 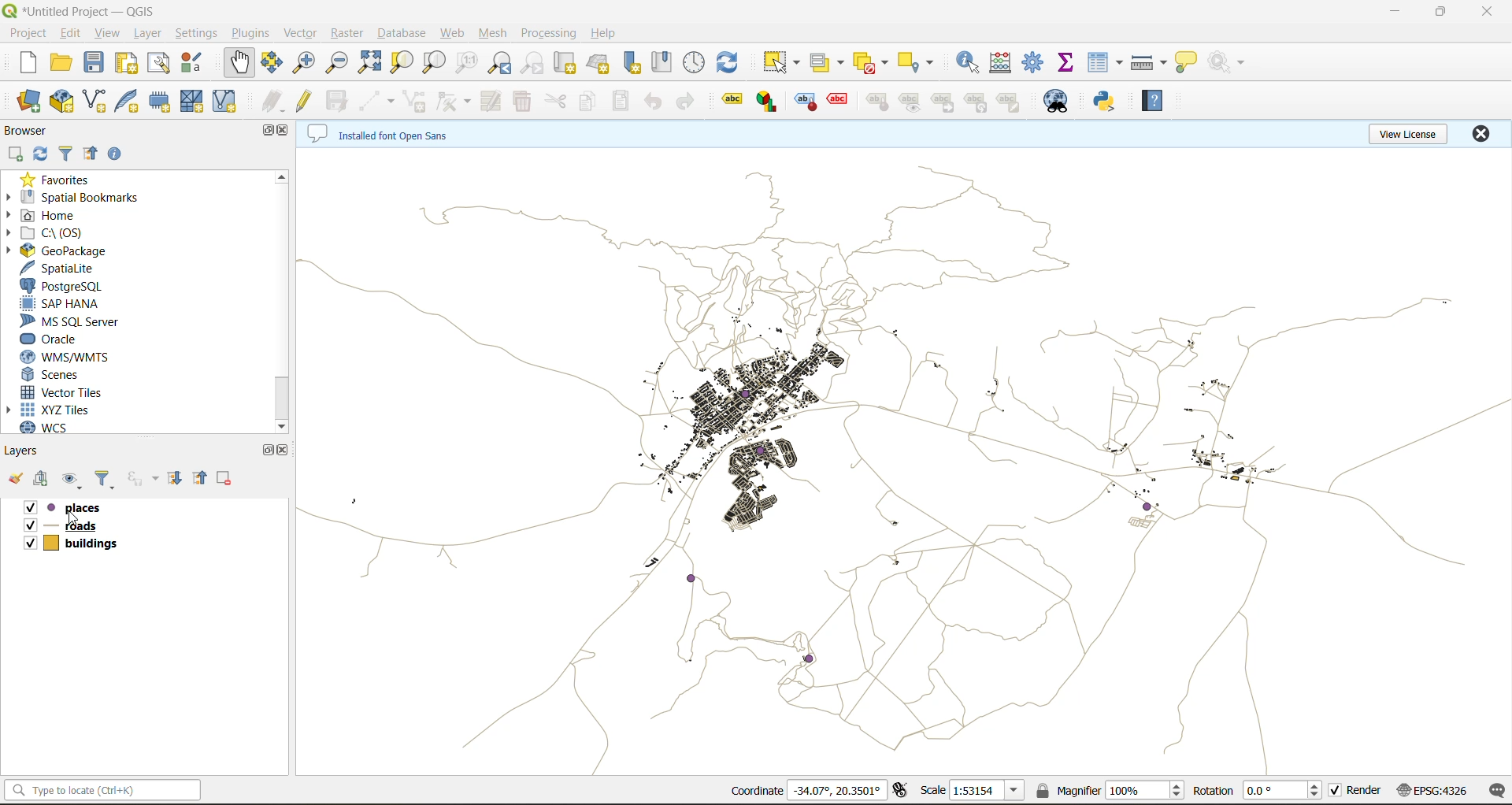 I want to click on help, so click(x=1158, y=101).